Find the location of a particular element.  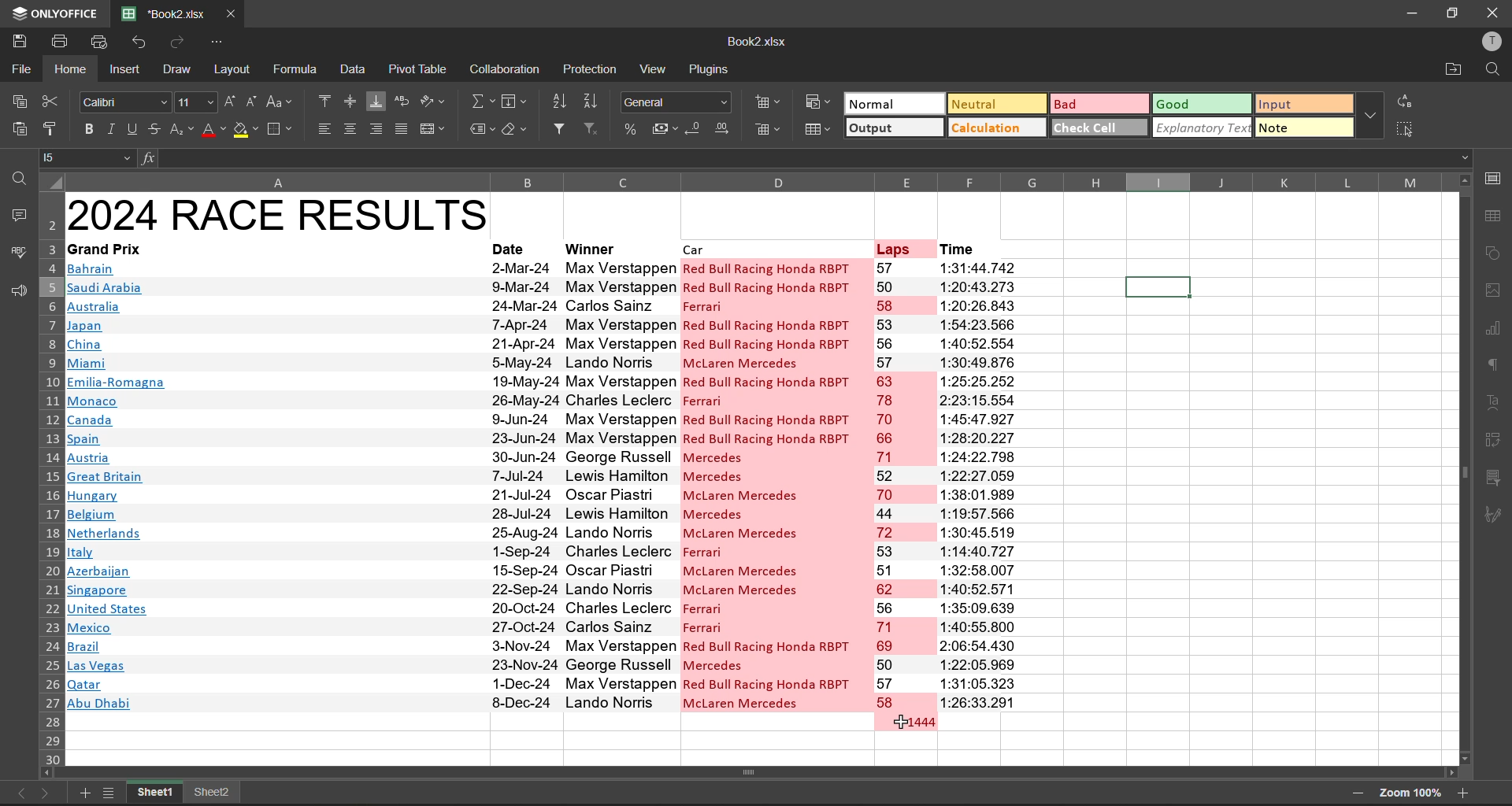

copy is located at coordinates (17, 98).